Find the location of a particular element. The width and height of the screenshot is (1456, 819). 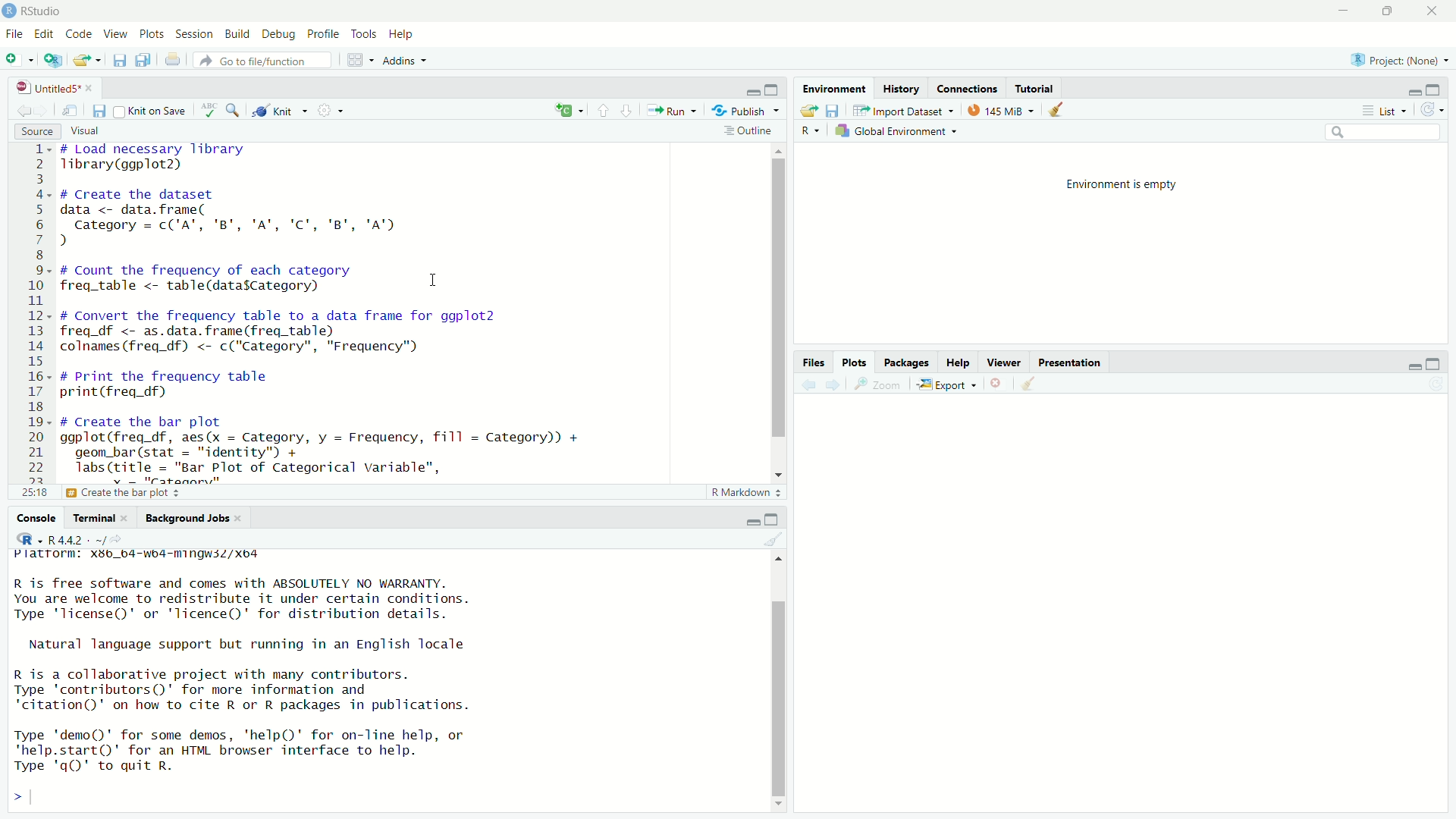

next is located at coordinates (838, 385).